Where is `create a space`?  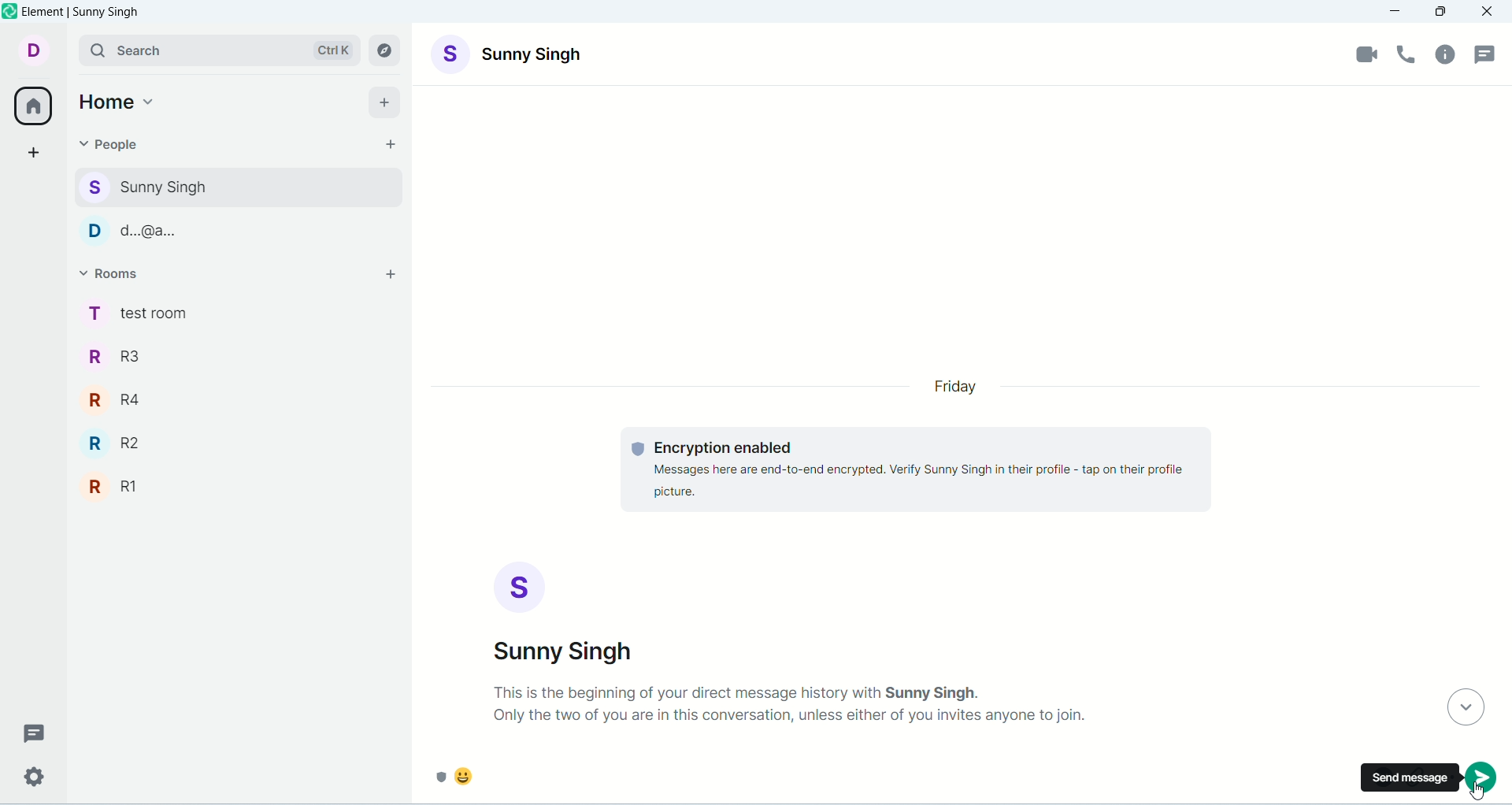
create a space is located at coordinates (35, 154).